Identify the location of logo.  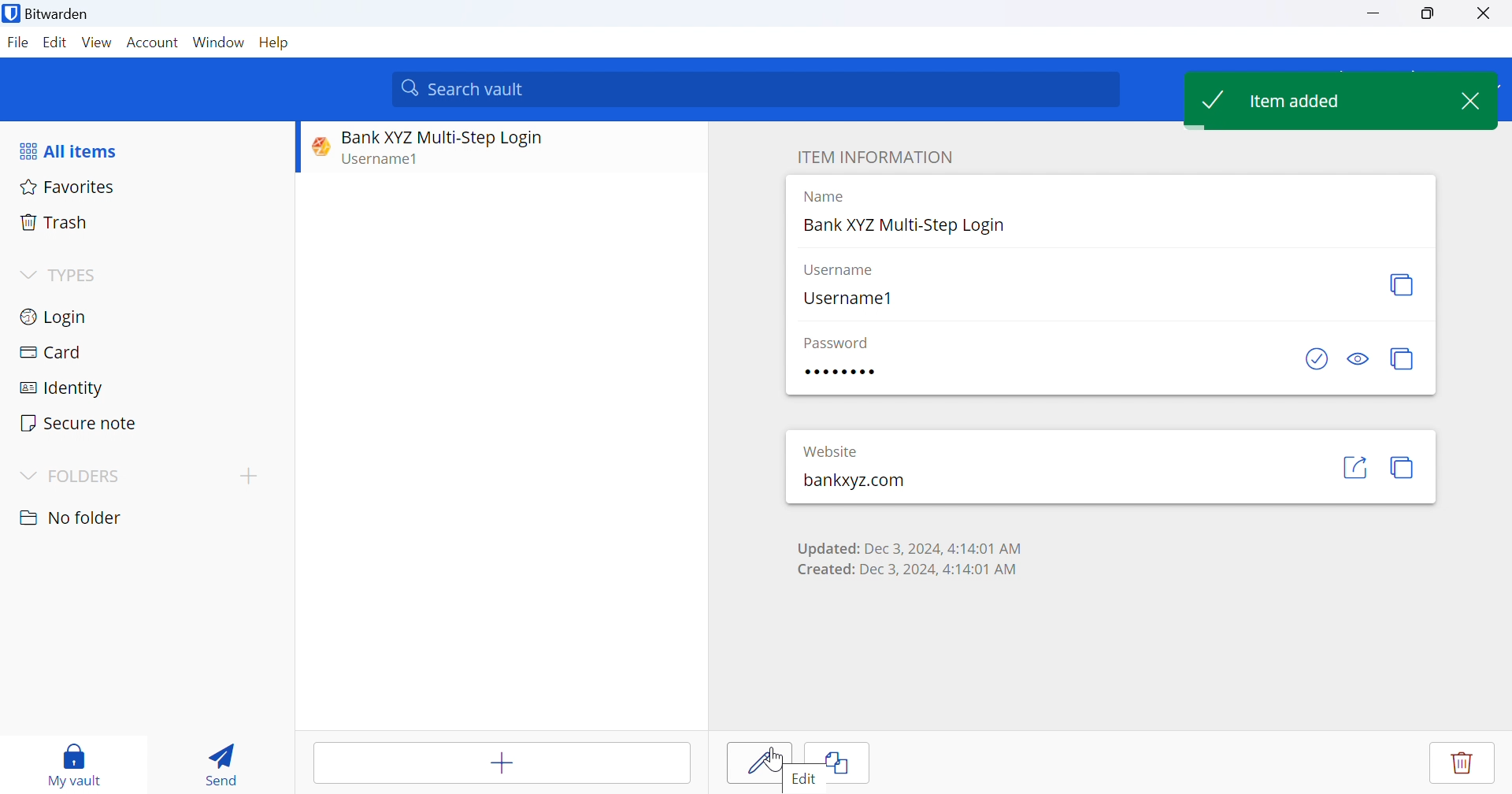
(321, 144).